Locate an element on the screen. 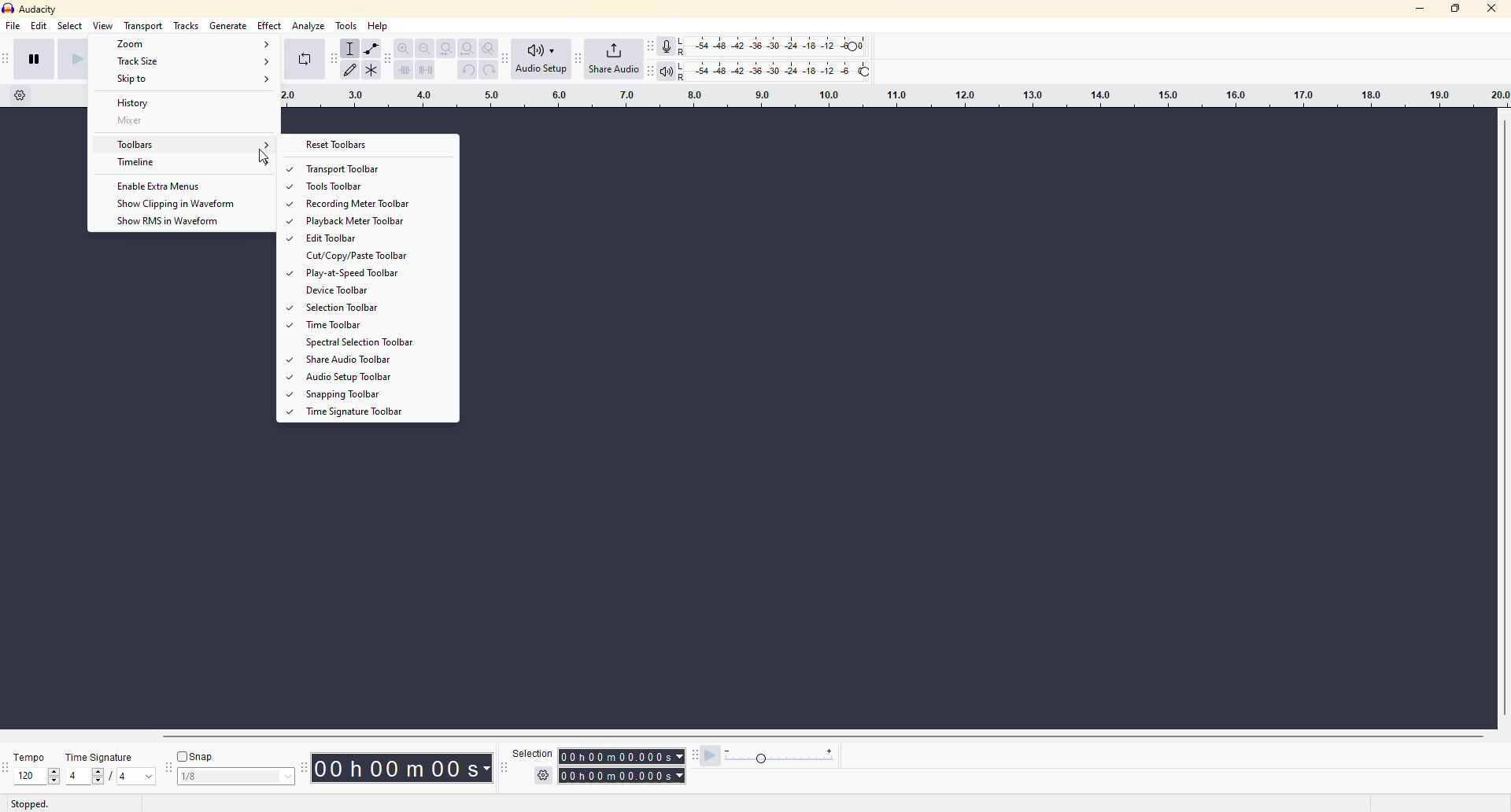 Image resolution: width=1511 pixels, height=812 pixels. fit selection to width is located at coordinates (446, 48).